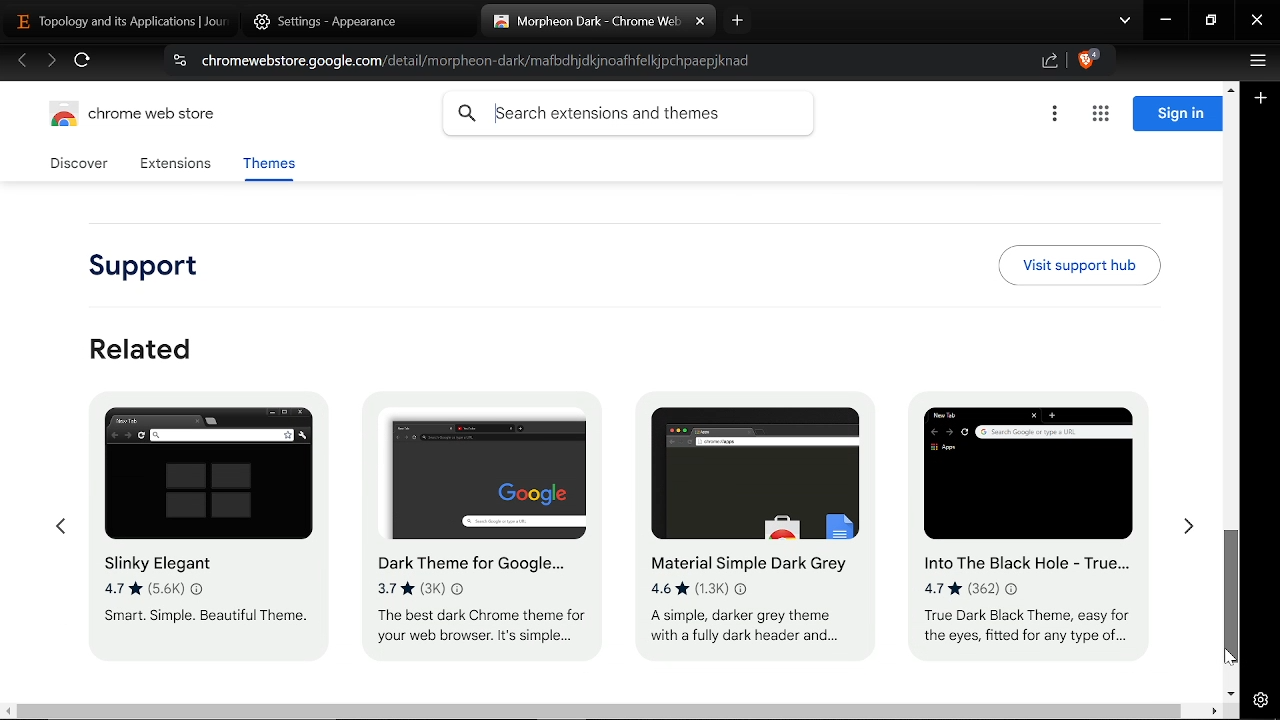  What do you see at coordinates (482, 61) in the screenshot?
I see `Current web address` at bounding box center [482, 61].